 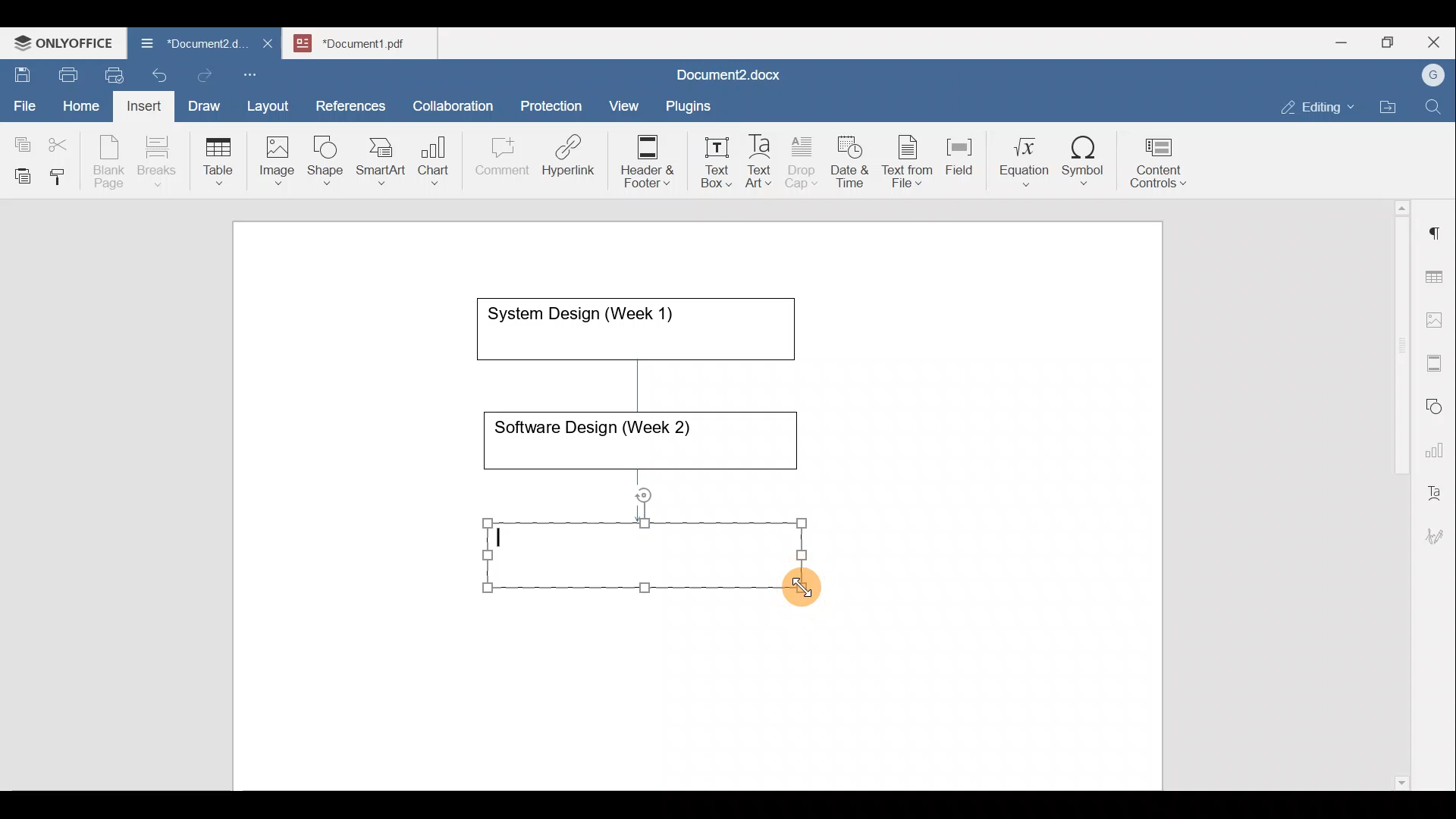 What do you see at coordinates (556, 104) in the screenshot?
I see `Protection` at bounding box center [556, 104].